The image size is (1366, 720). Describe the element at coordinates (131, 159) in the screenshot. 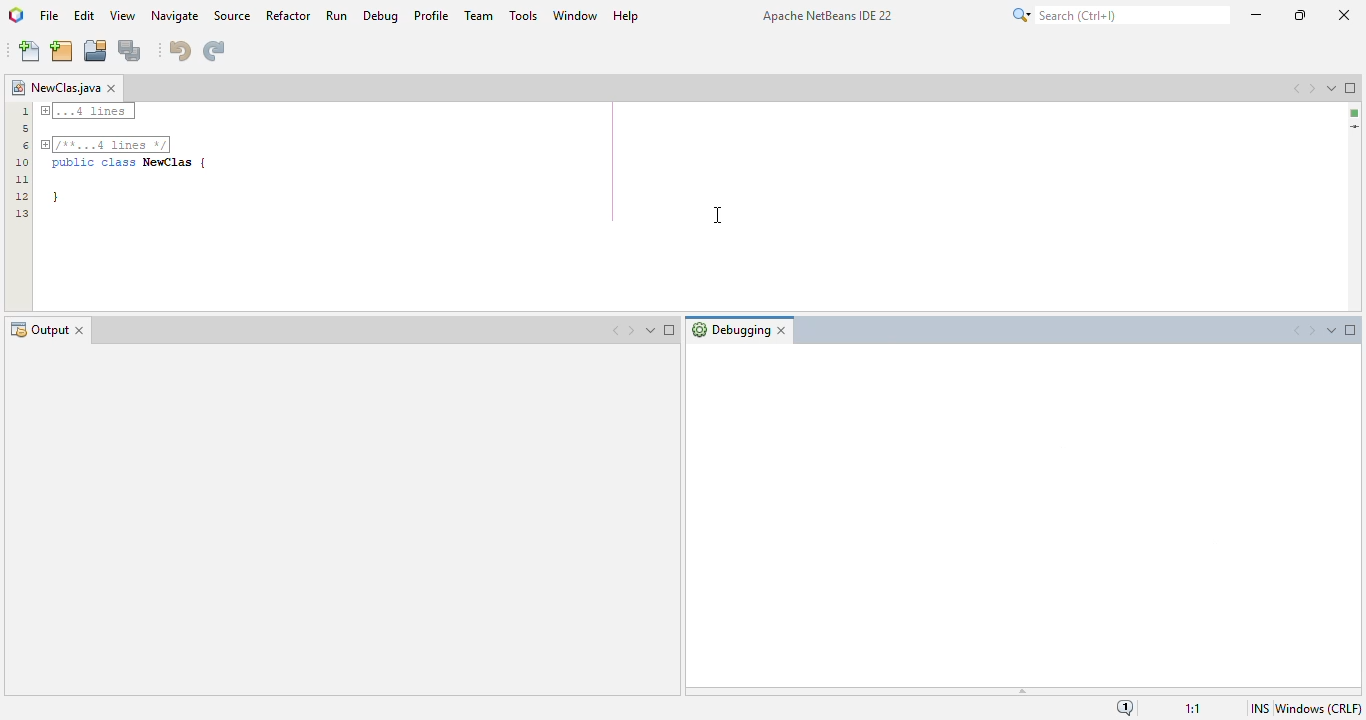

I see `public class NewClas |
}` at that location.